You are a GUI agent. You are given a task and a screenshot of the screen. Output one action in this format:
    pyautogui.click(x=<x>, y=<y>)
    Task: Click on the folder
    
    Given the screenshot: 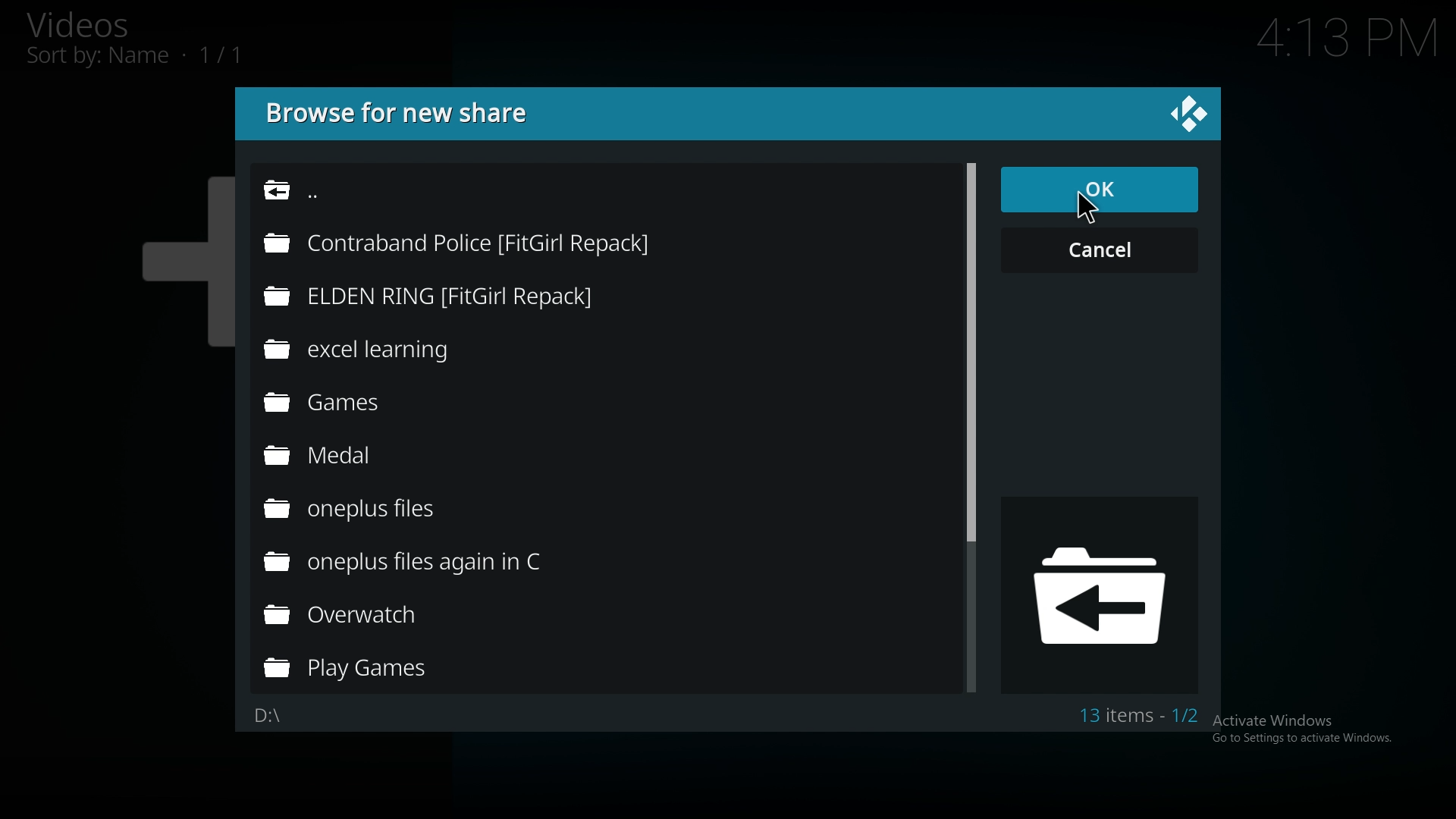 What is the action you would take?
    pyautogui.click(x=378, y=509)
    